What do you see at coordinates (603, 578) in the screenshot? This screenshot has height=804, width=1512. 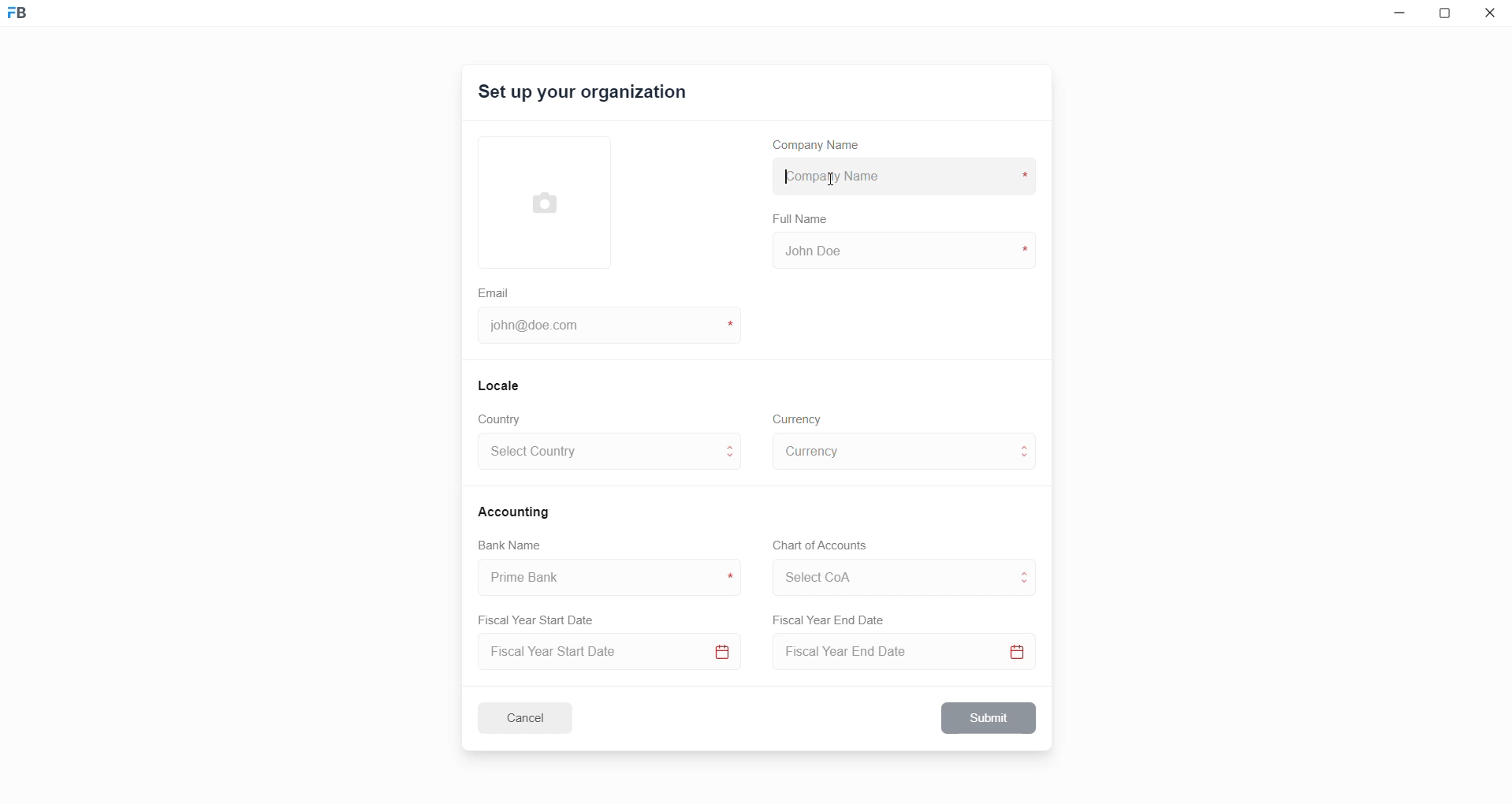 I see `bank name input box` at bounding box center [603, 578].